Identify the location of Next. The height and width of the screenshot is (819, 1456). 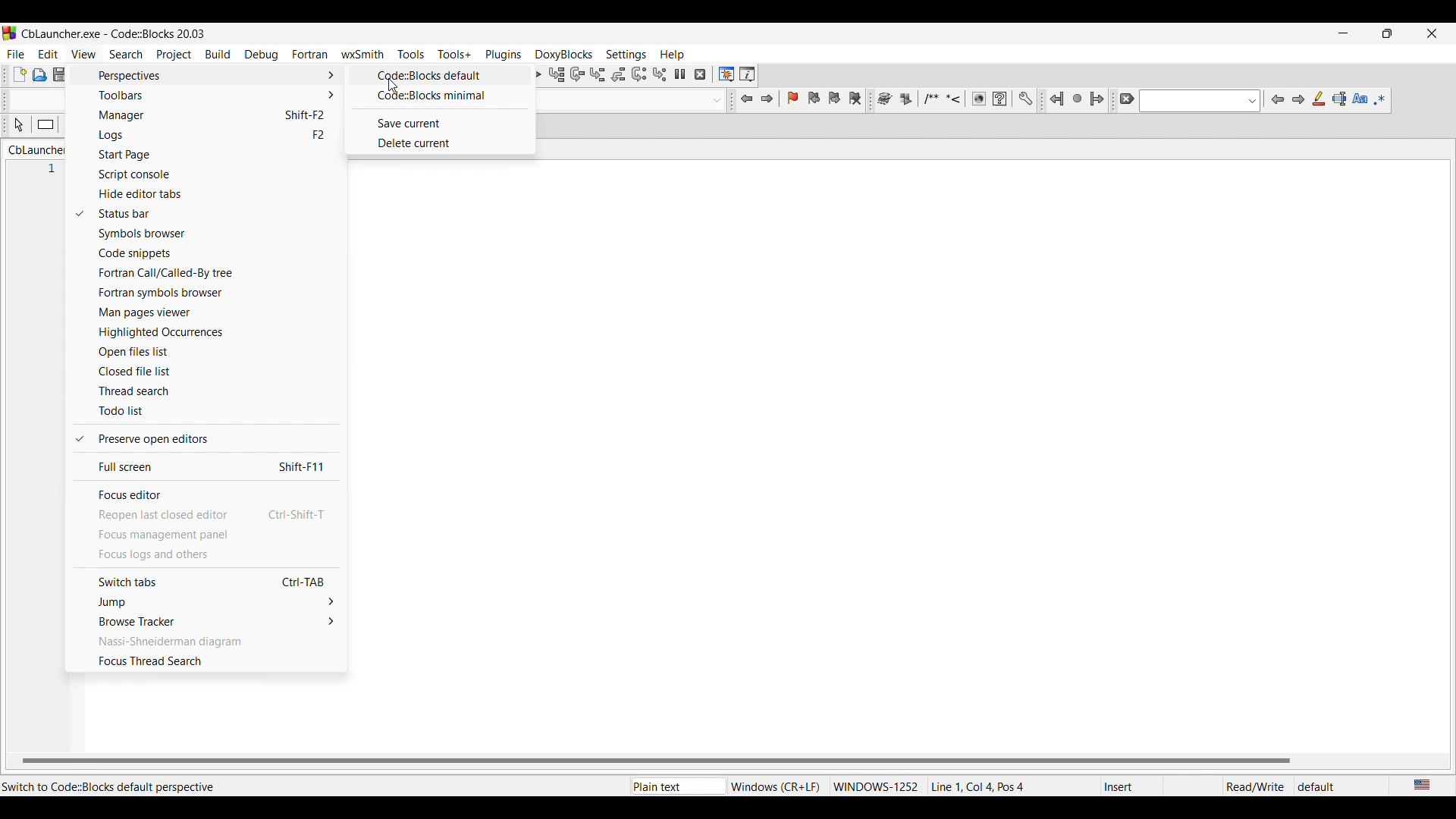
(1298, 99).